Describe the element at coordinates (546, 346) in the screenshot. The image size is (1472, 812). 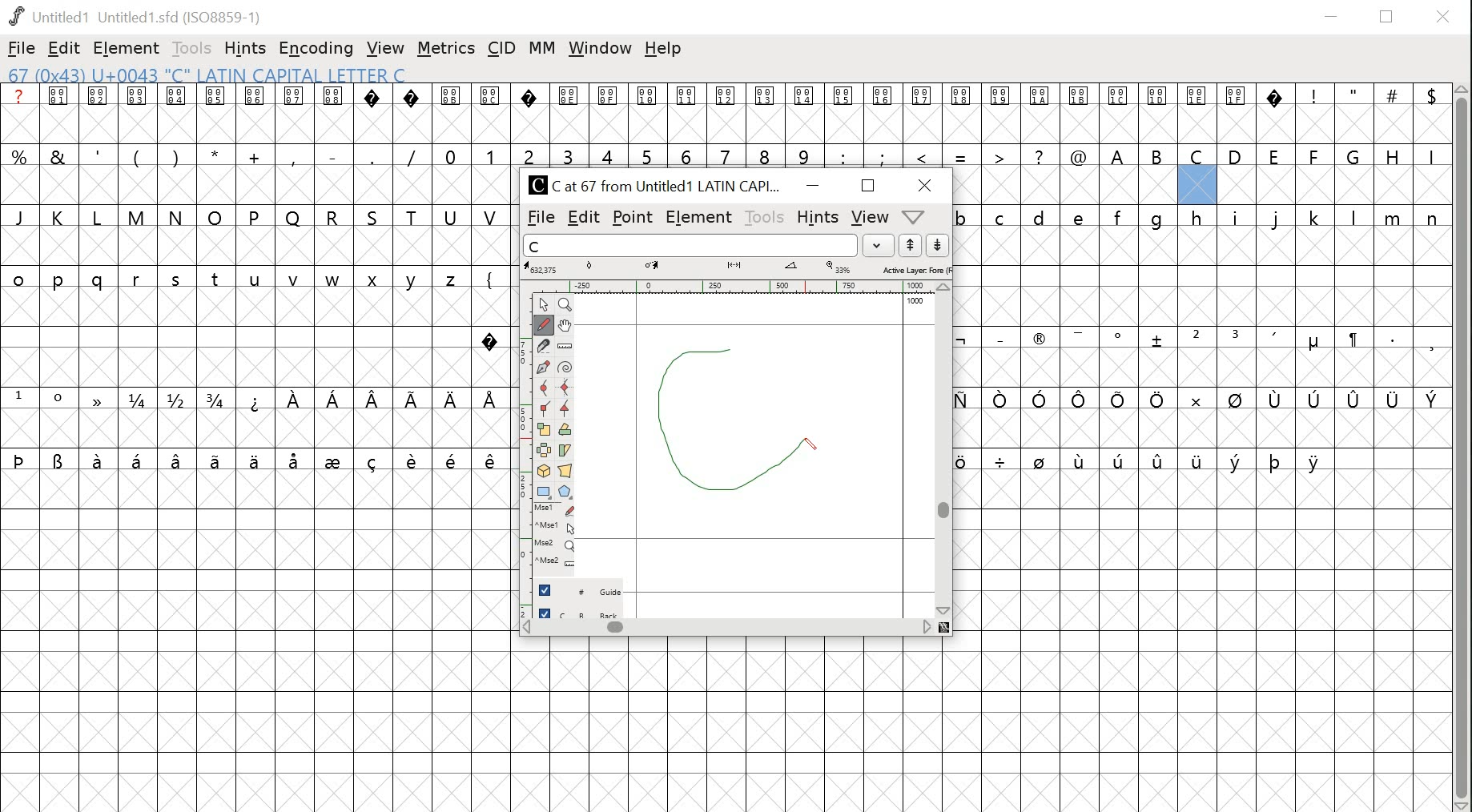
I see `knife` at that location.